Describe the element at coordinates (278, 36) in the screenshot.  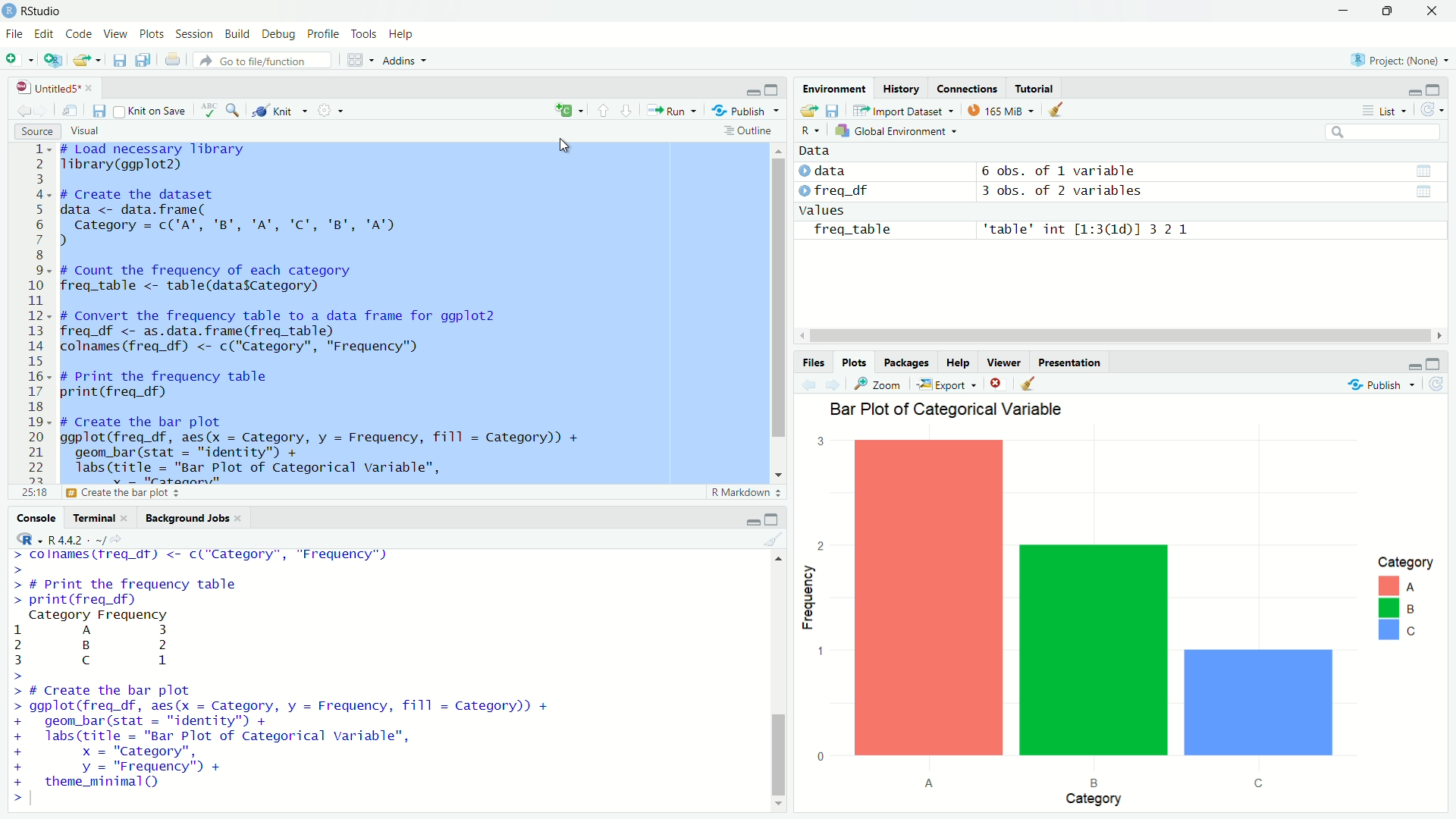
I see `debug` at that location.